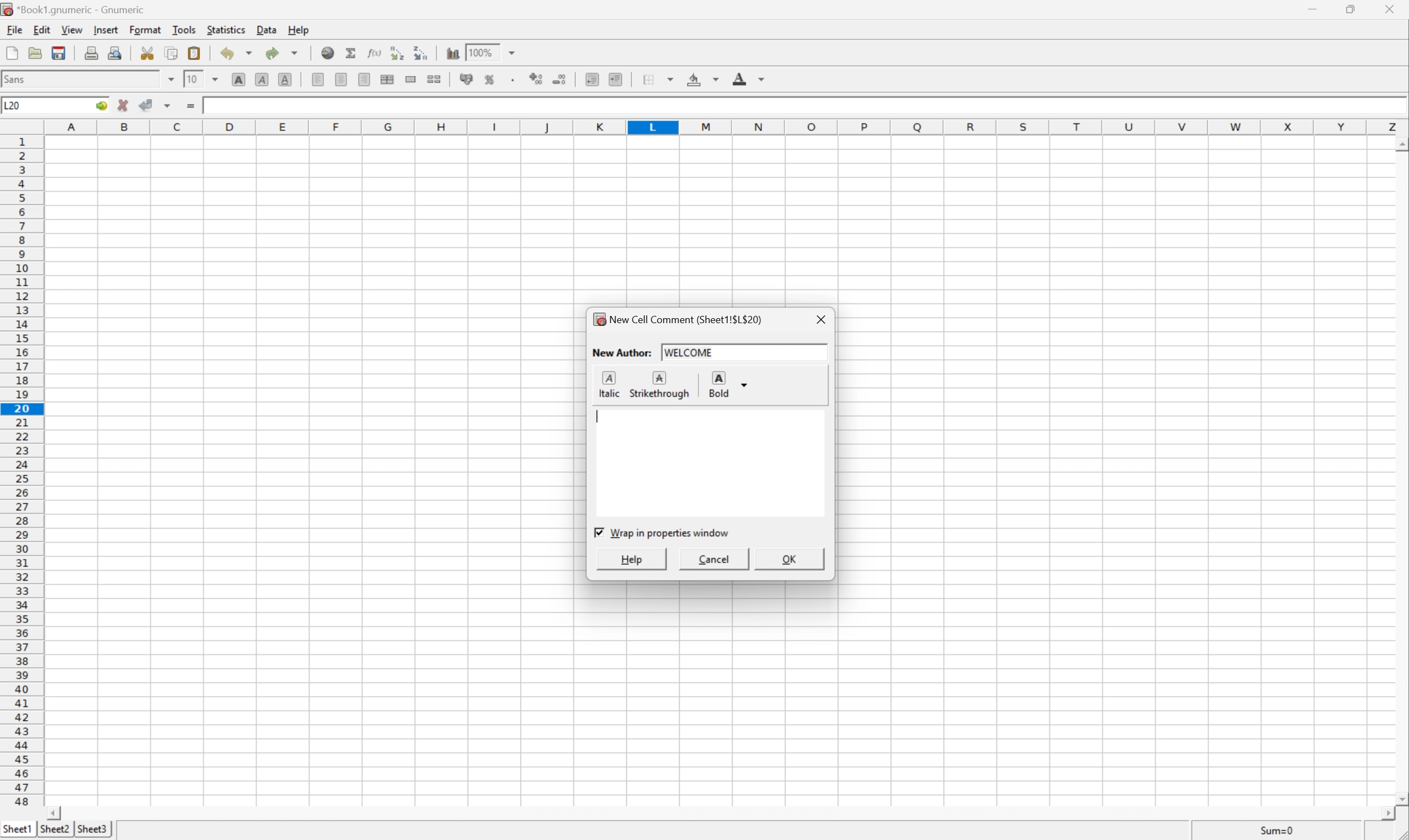 This screenshot has width=1409, height=840. What do you see at coordinates (490, 79) in the screenshot?
I see `Format the selection as percentage` at bounding box center [490, 79].